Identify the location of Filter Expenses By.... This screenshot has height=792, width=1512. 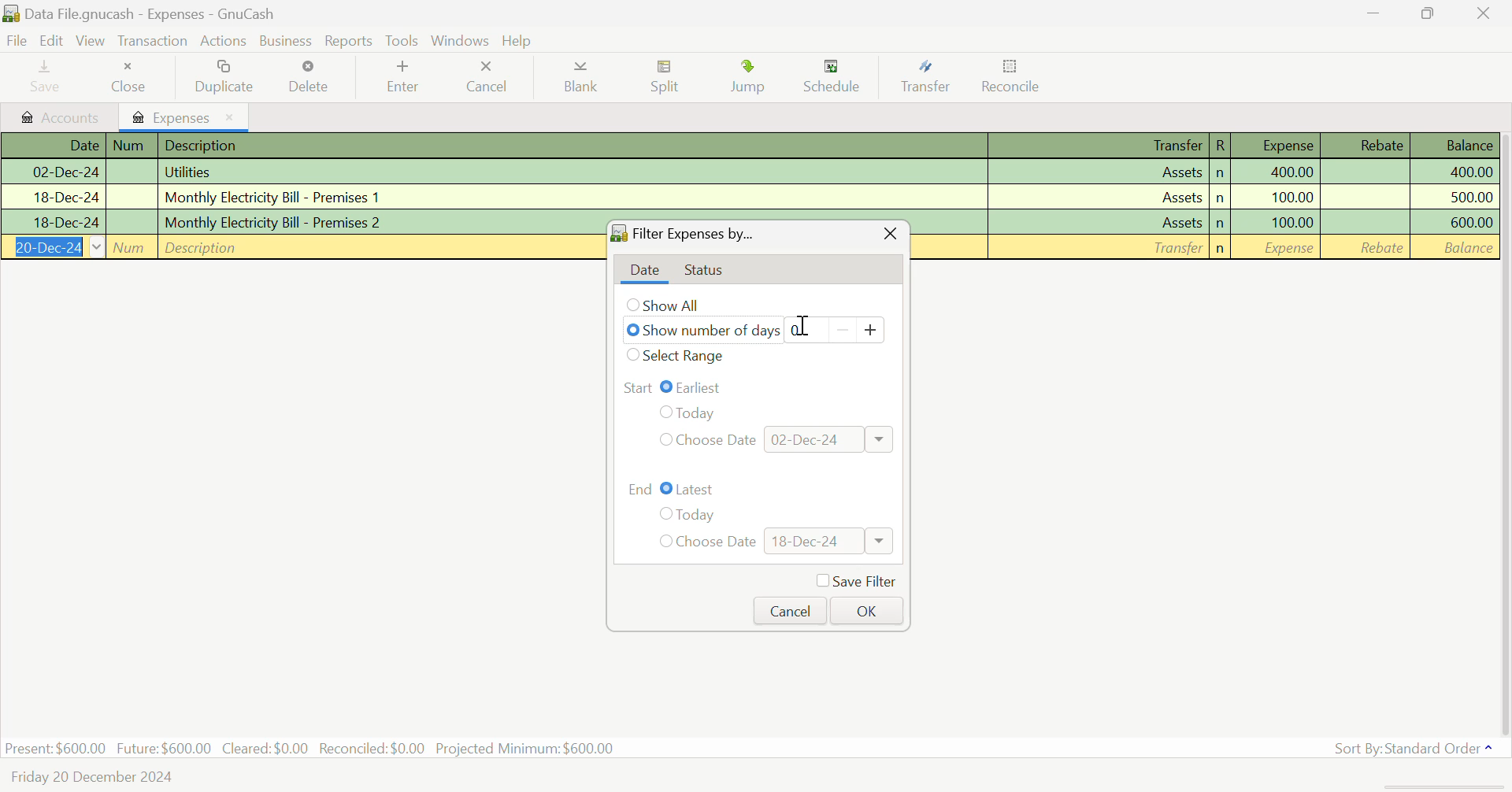
(695, 234).